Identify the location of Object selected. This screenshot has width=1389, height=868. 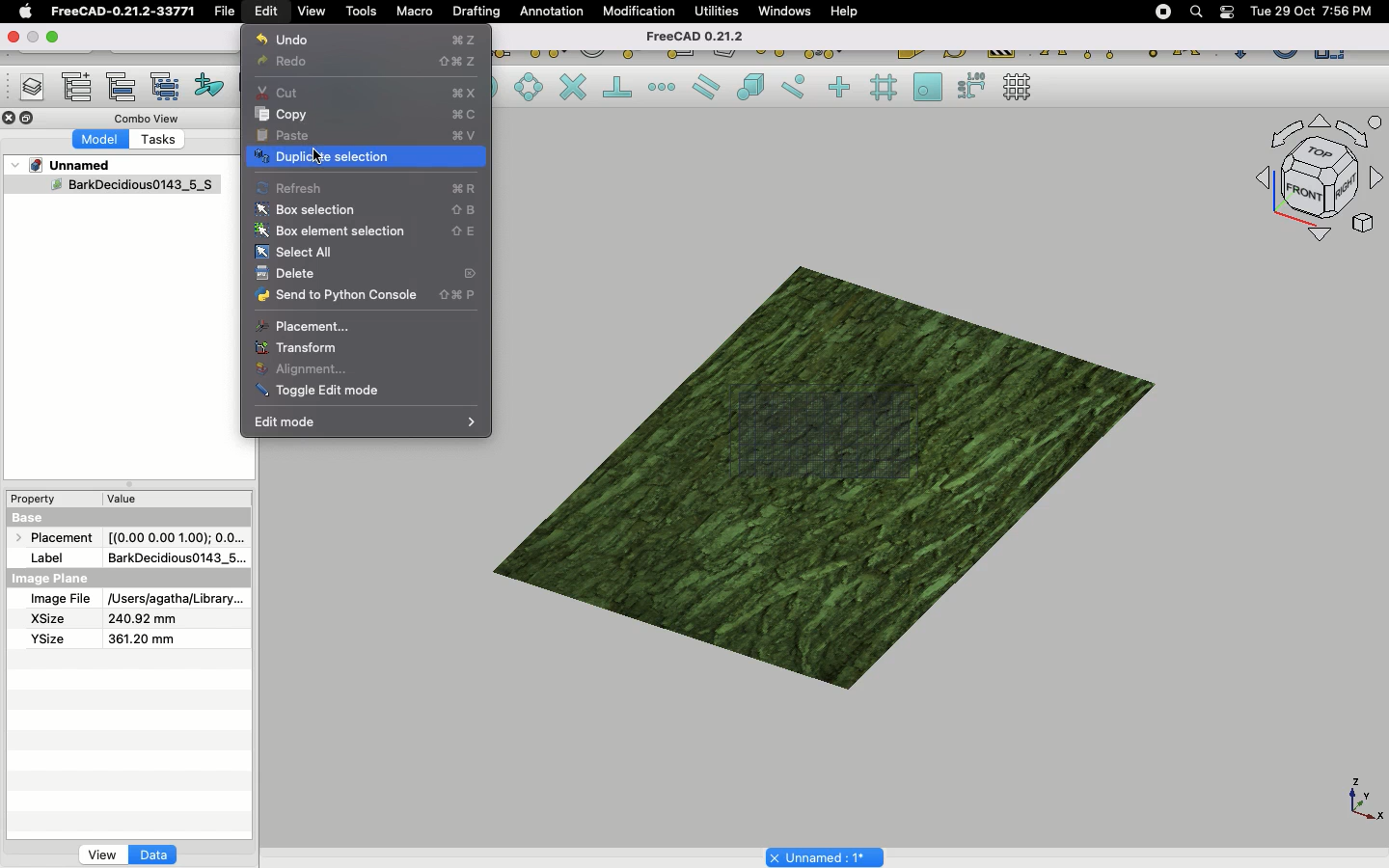
(831, 462).